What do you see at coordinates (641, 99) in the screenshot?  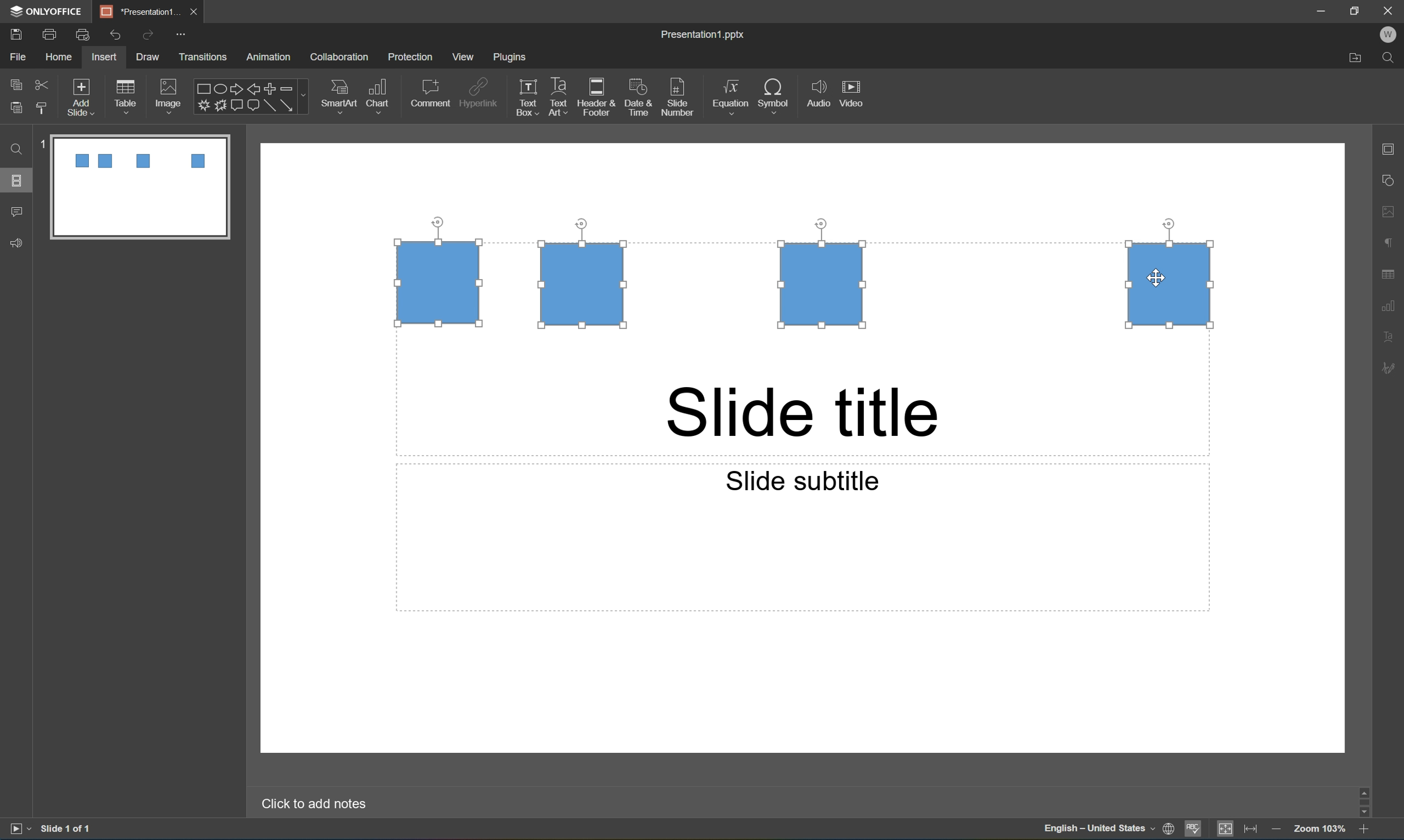 I see `date & time` at bounding box center [641, 99].